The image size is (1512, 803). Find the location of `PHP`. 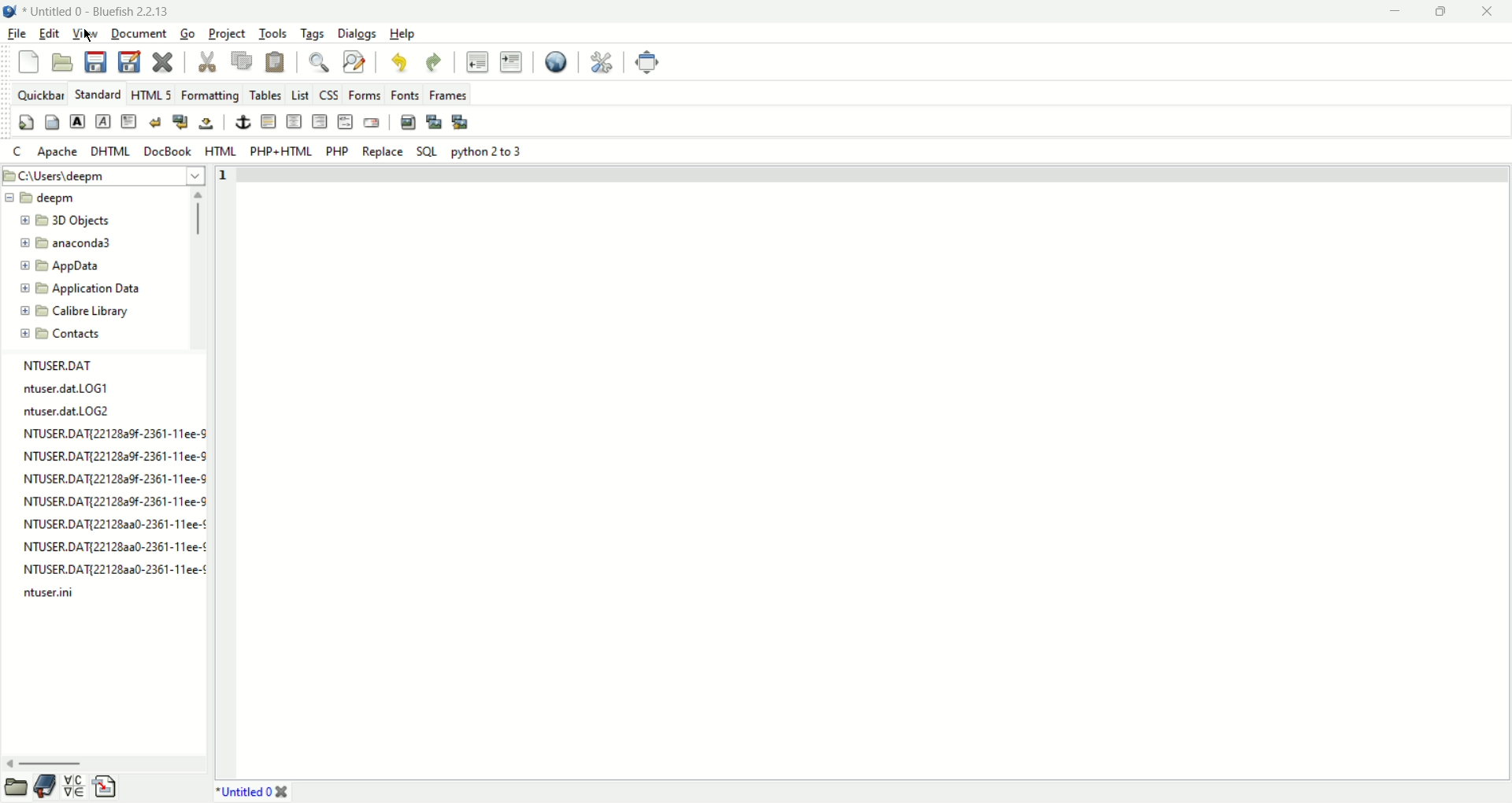

PHP is located at coordinates (338, 150).